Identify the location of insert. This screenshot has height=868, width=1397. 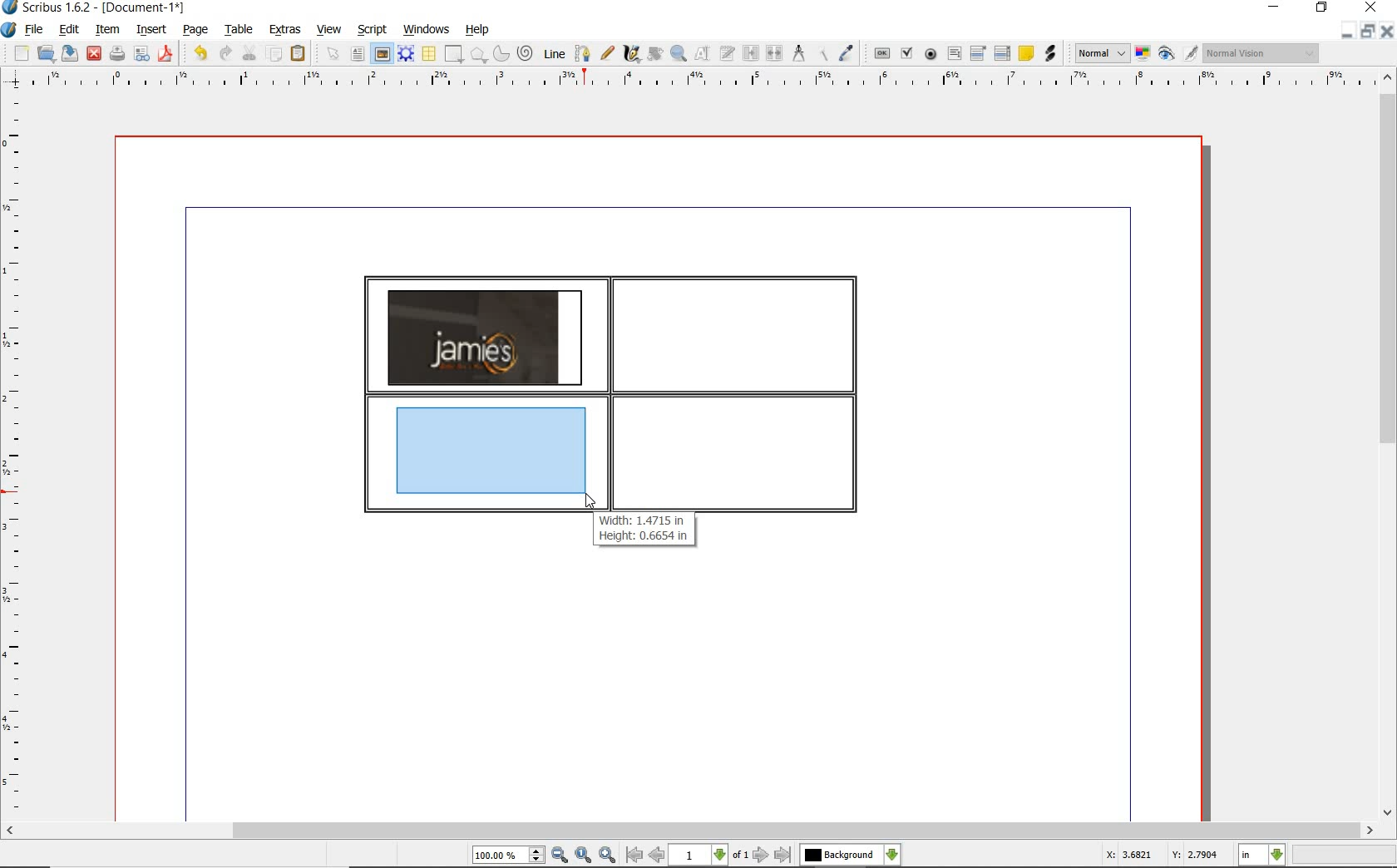
(150, 31).